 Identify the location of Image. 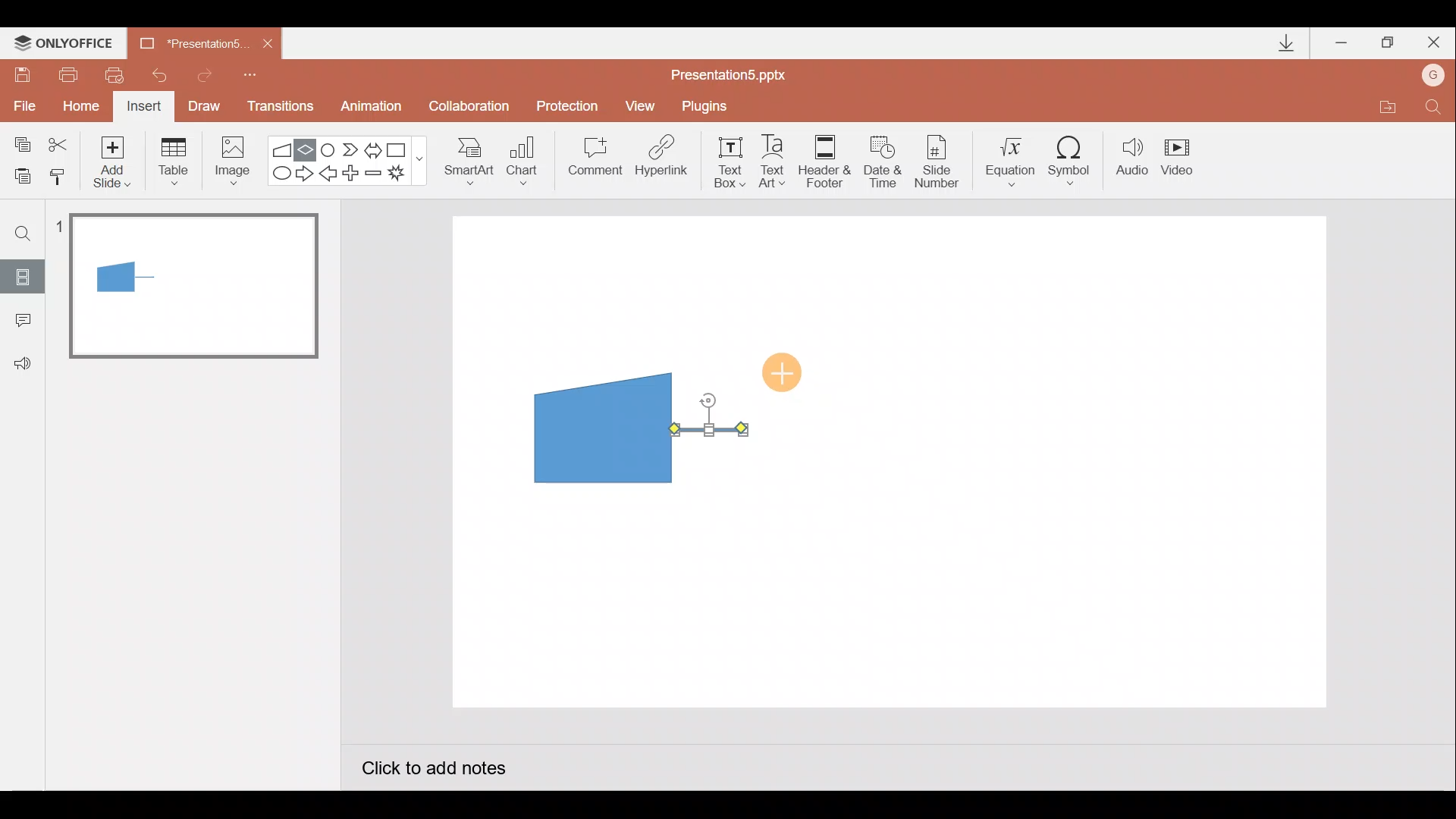
(228, 160).